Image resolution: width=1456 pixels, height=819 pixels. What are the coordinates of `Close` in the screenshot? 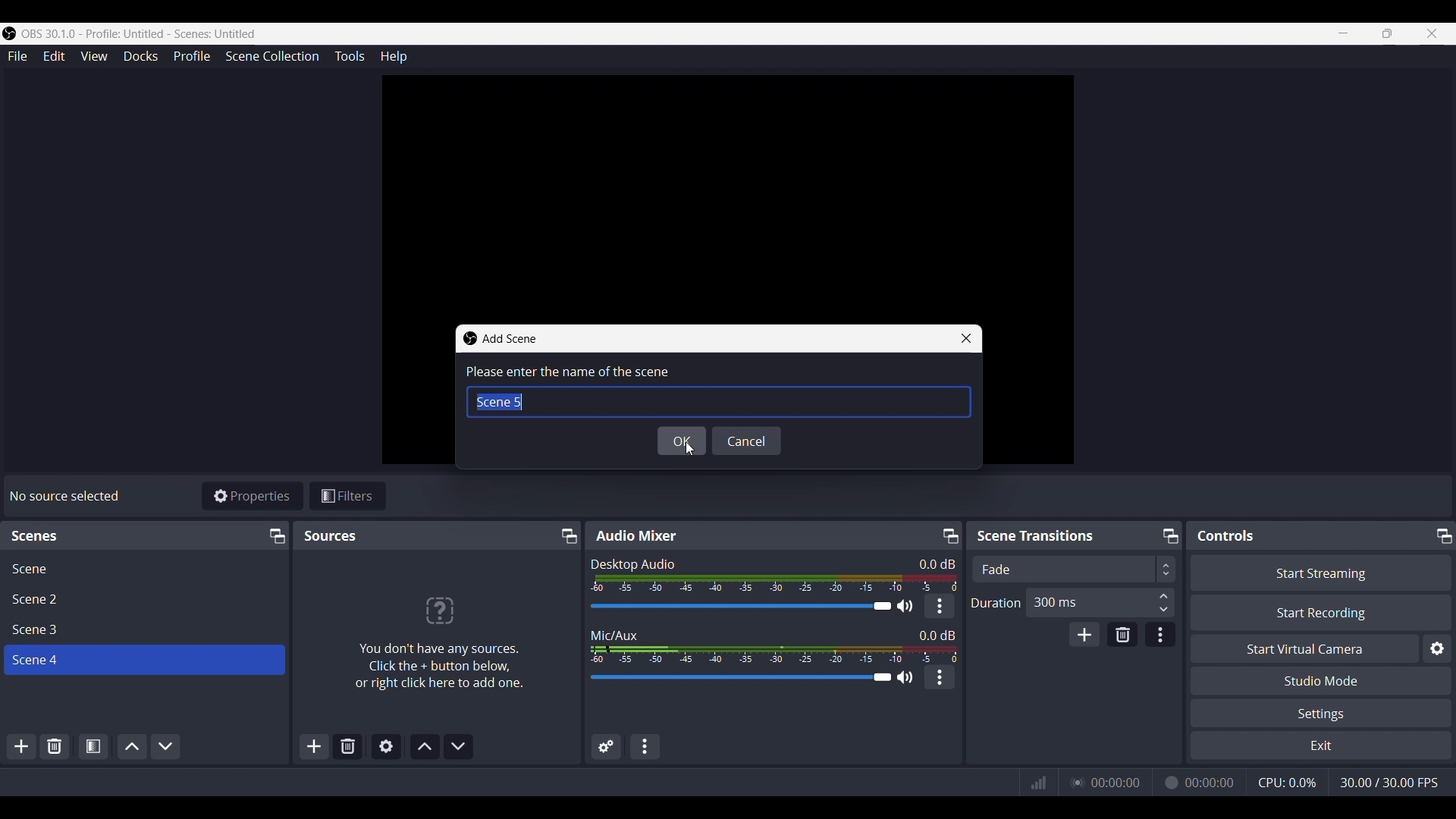 It's located at (967, 337).